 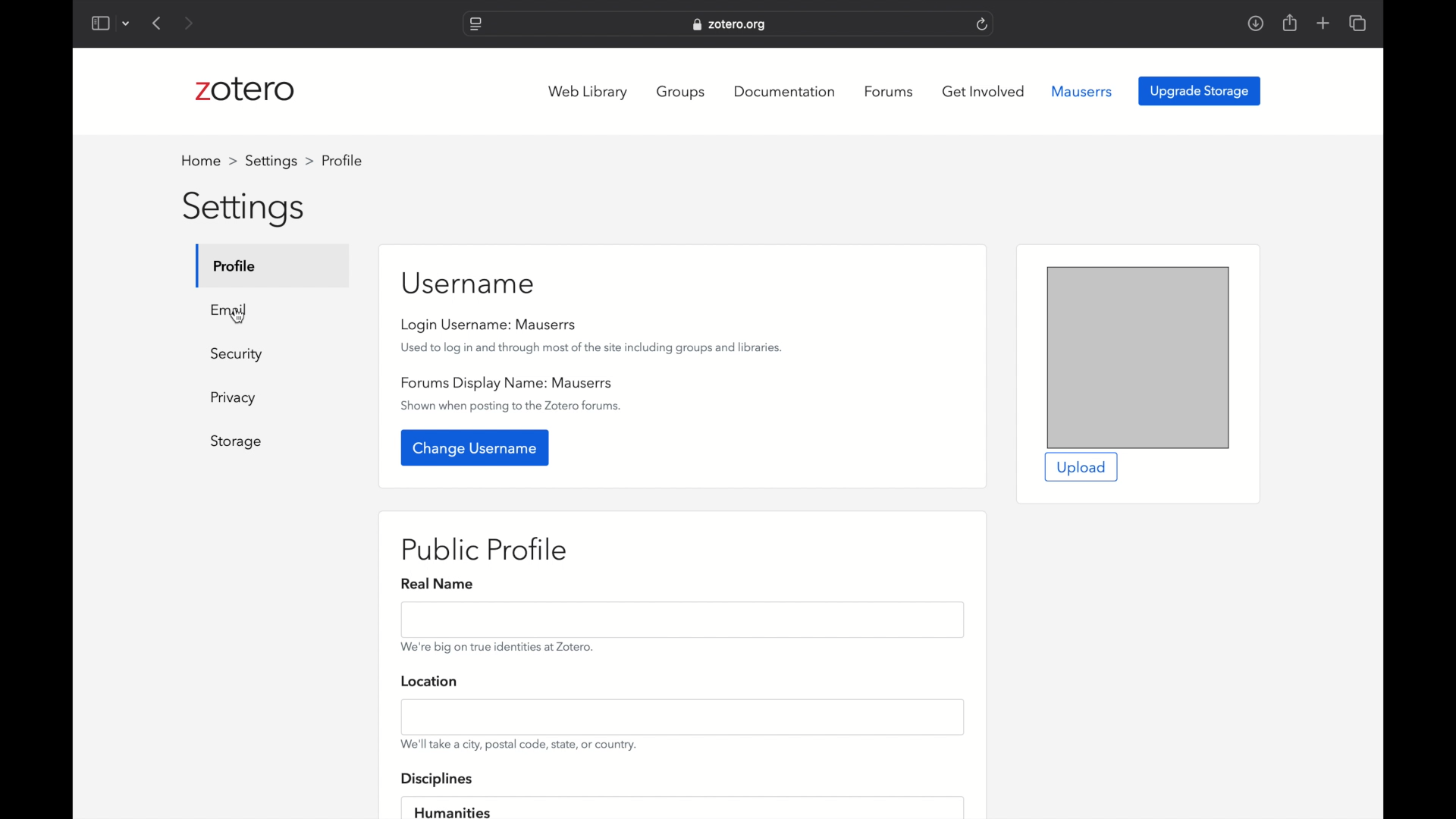 I want to click on profile, so click(x=236, y=265).